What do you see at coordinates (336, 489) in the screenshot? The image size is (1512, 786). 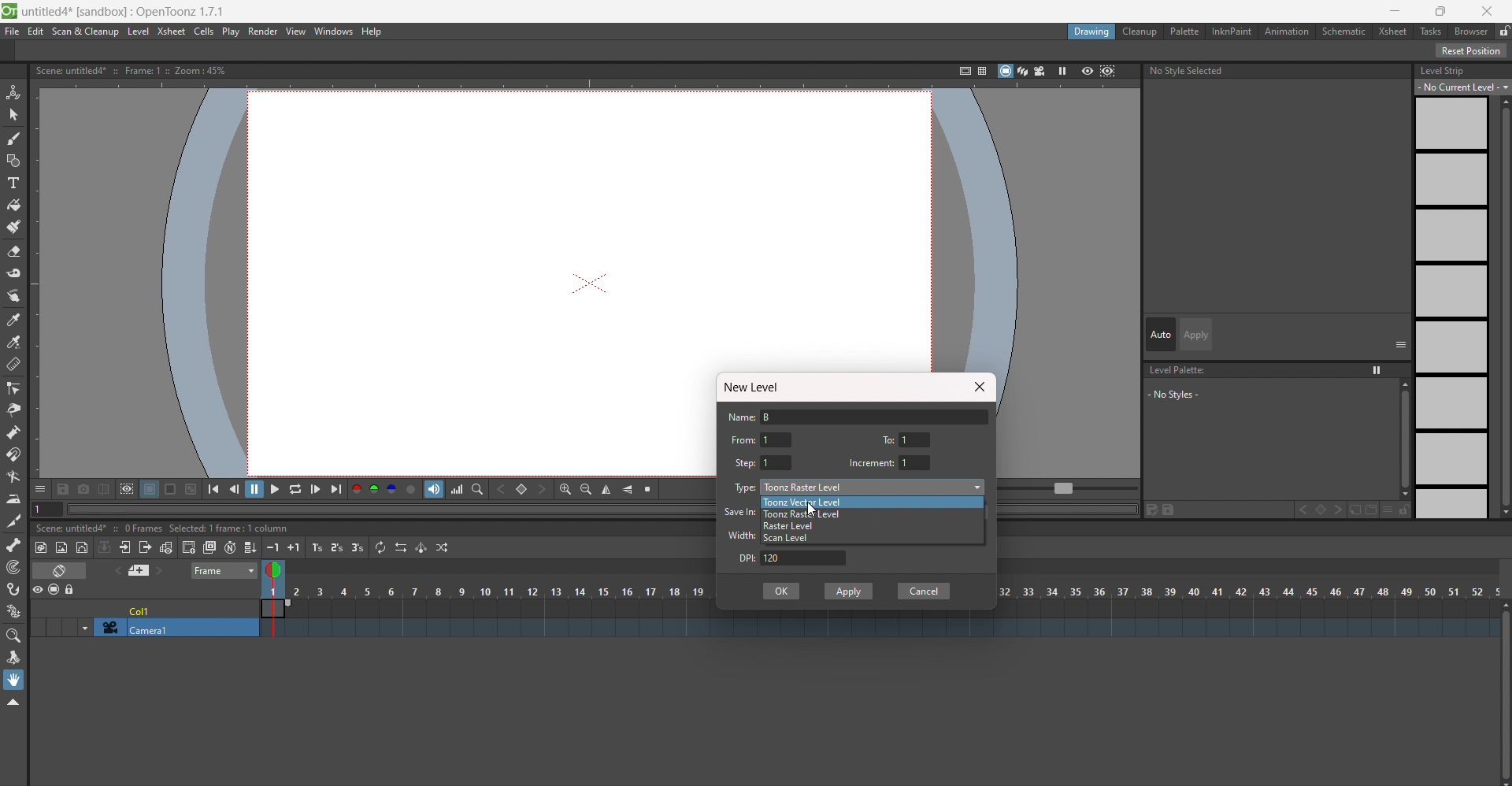 I see `last frame` at bounding box center [336, 489].